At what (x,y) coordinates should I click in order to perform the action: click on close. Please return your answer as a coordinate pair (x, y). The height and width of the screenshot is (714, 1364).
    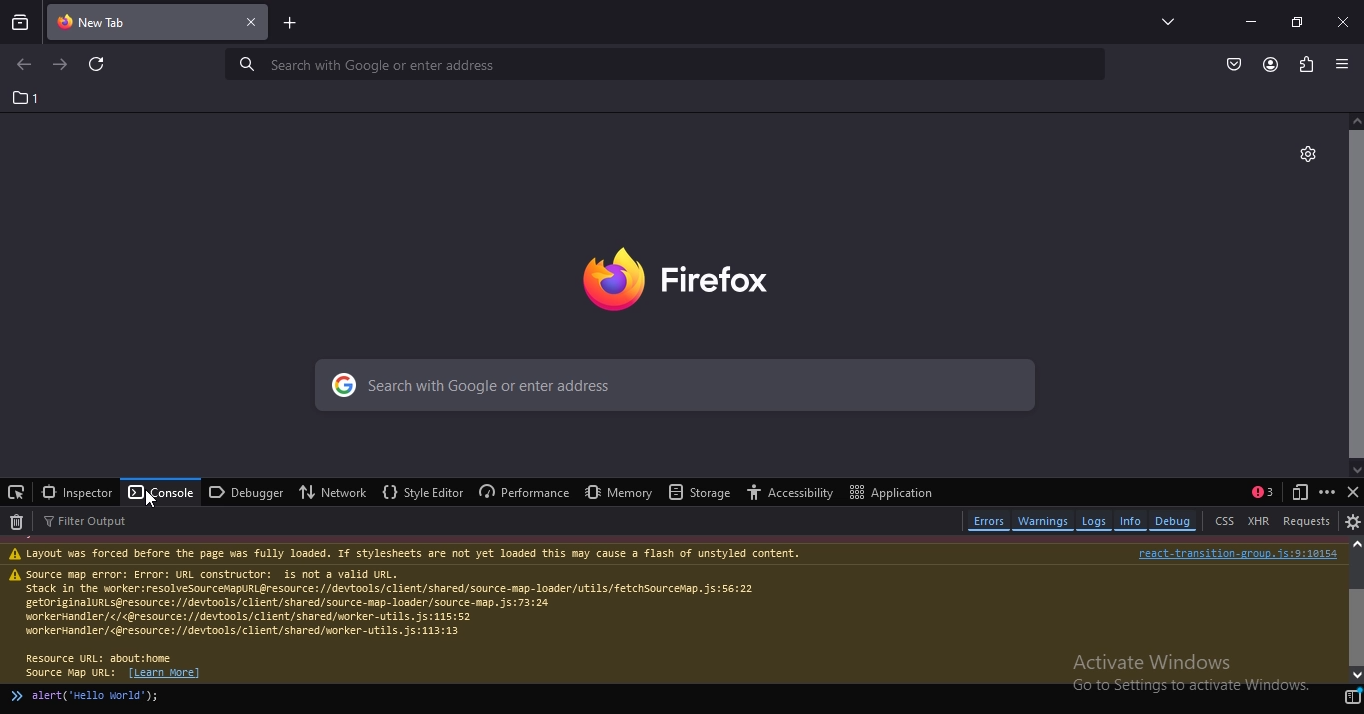
    Looking at the image, I should click on (1352, 491).